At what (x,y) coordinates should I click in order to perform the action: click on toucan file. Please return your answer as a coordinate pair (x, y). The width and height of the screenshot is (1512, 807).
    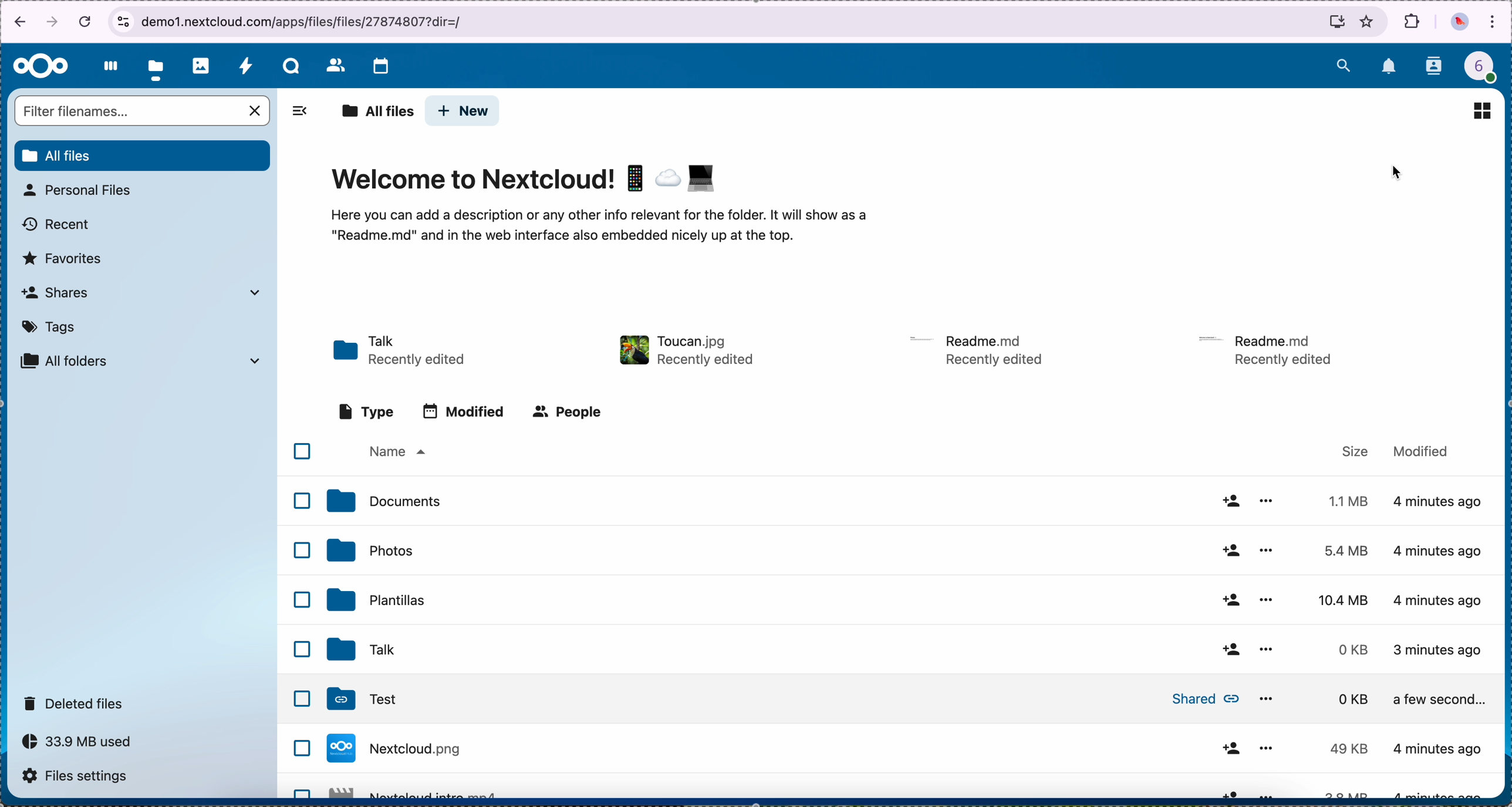
    Looking at the image, I should click on (683, 350).